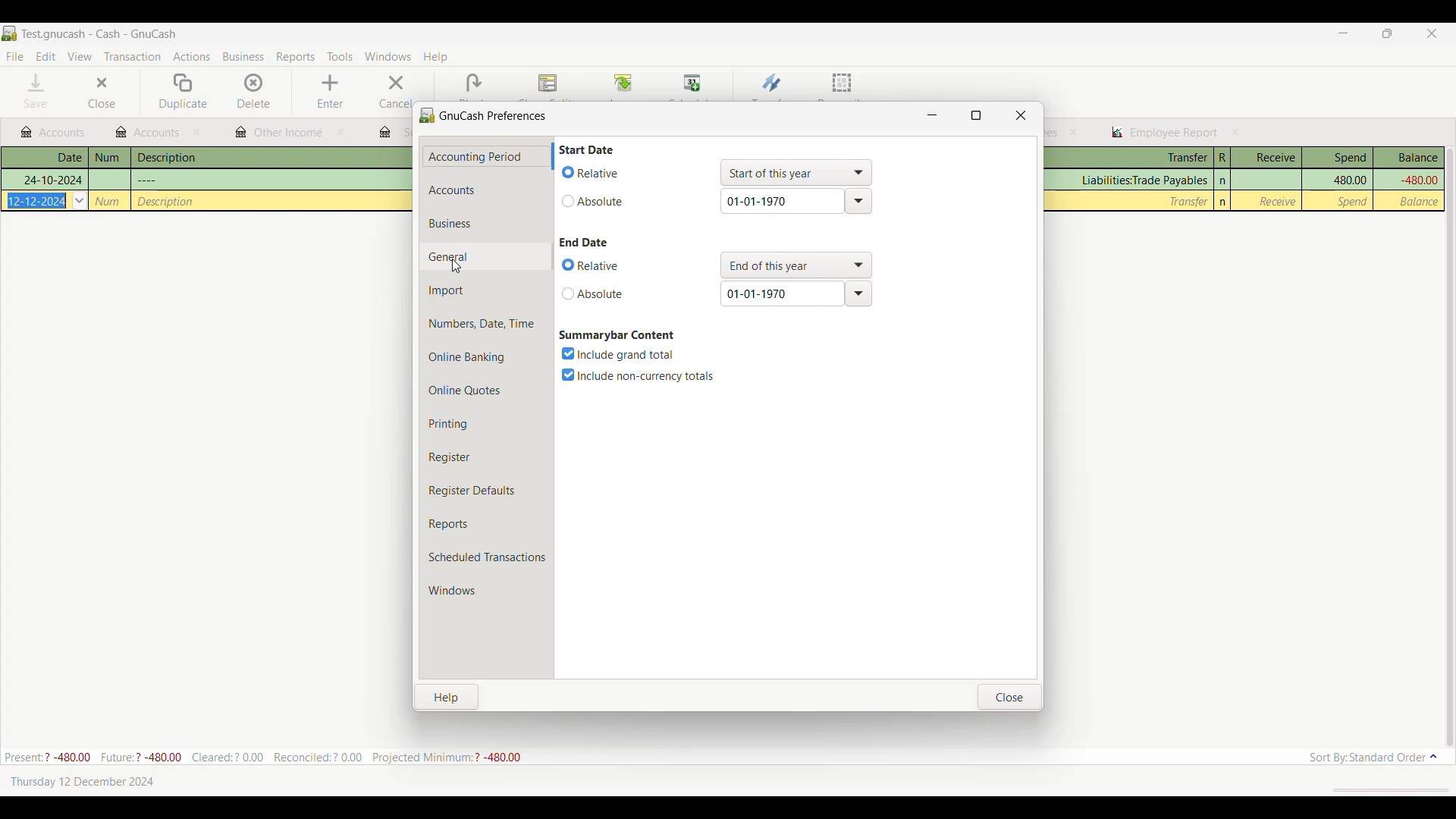 This screenshot has height=819, width=1456. I want to click on Click to see calendar, so click(858, 201).